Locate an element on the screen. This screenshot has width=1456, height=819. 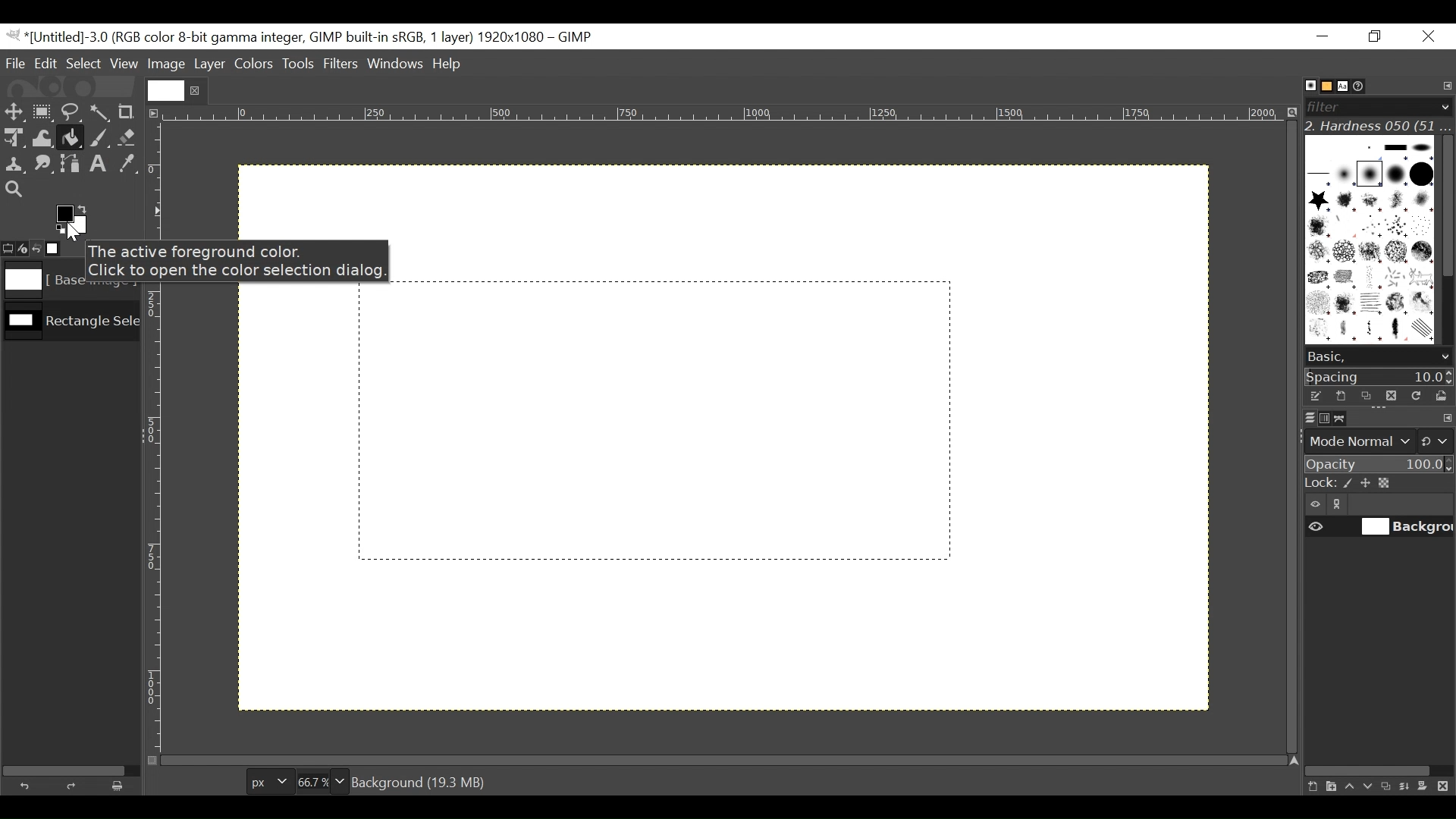
Brushes is located at coordinates (1303, 86).